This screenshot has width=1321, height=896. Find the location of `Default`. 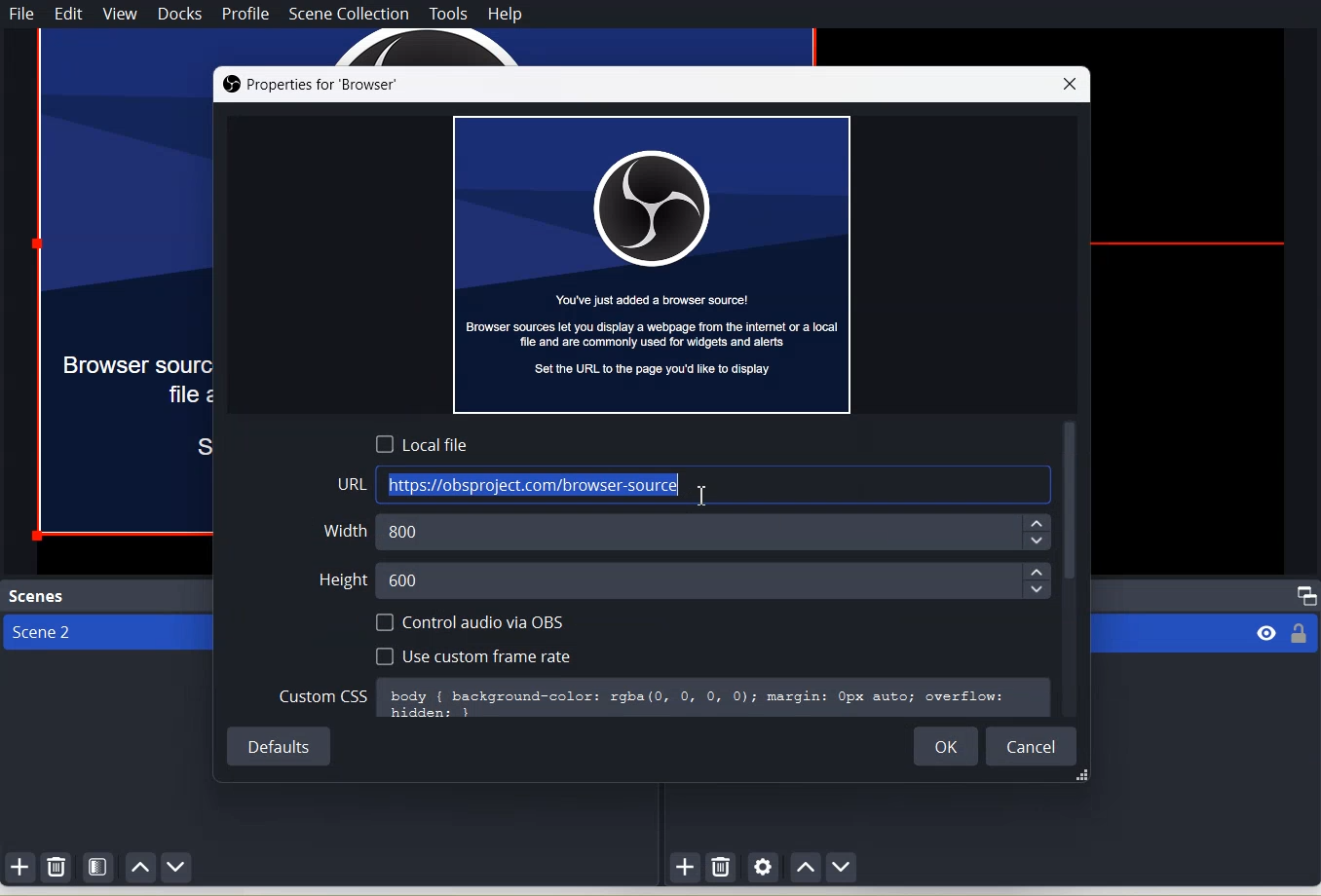

Default is located at coordinates (278, 745).